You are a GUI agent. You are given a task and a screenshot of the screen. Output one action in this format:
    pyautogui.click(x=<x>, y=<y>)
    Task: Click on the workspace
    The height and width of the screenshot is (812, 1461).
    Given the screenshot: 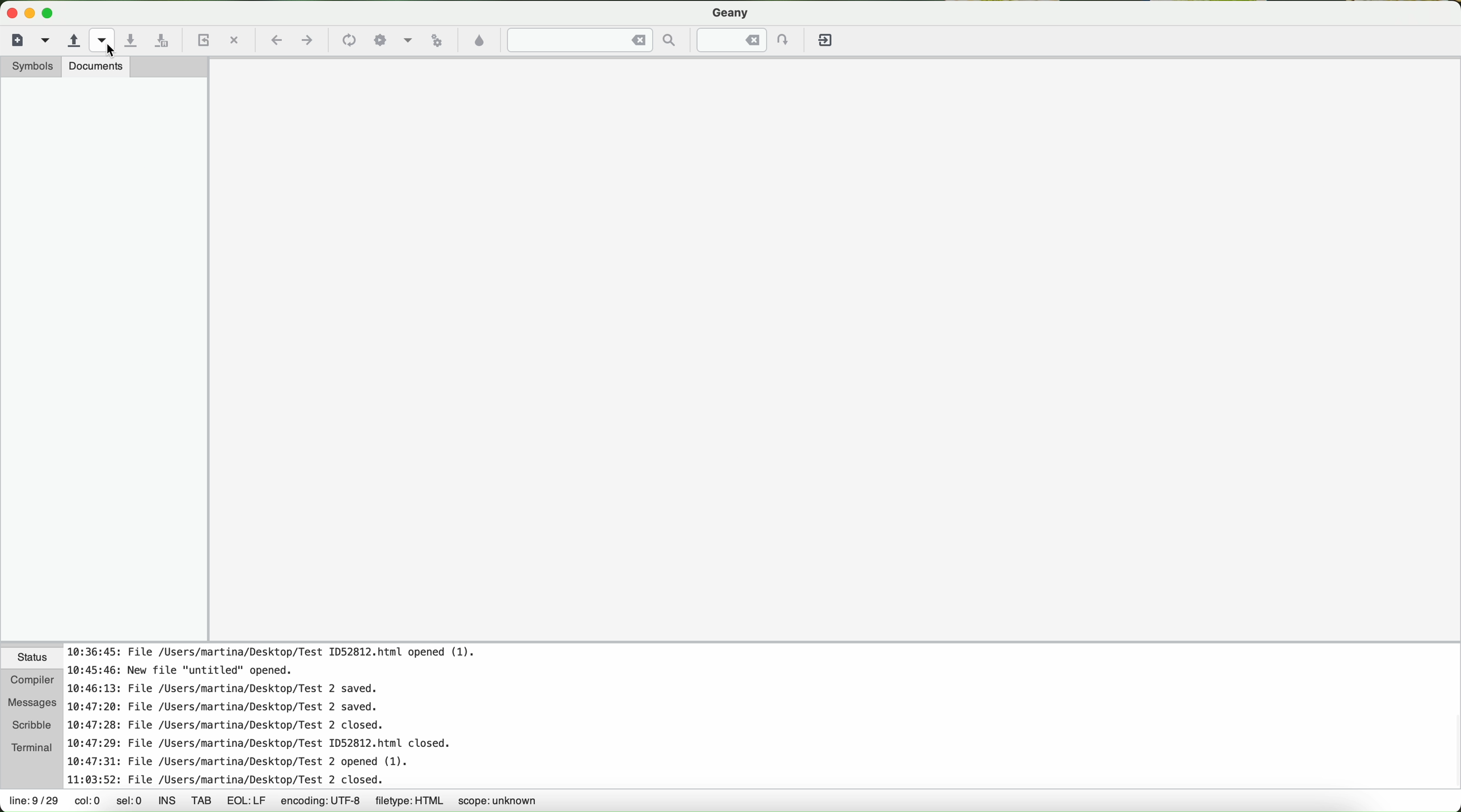 What is the action you would take?
    pyautogui.click(x=834, y=350)
    